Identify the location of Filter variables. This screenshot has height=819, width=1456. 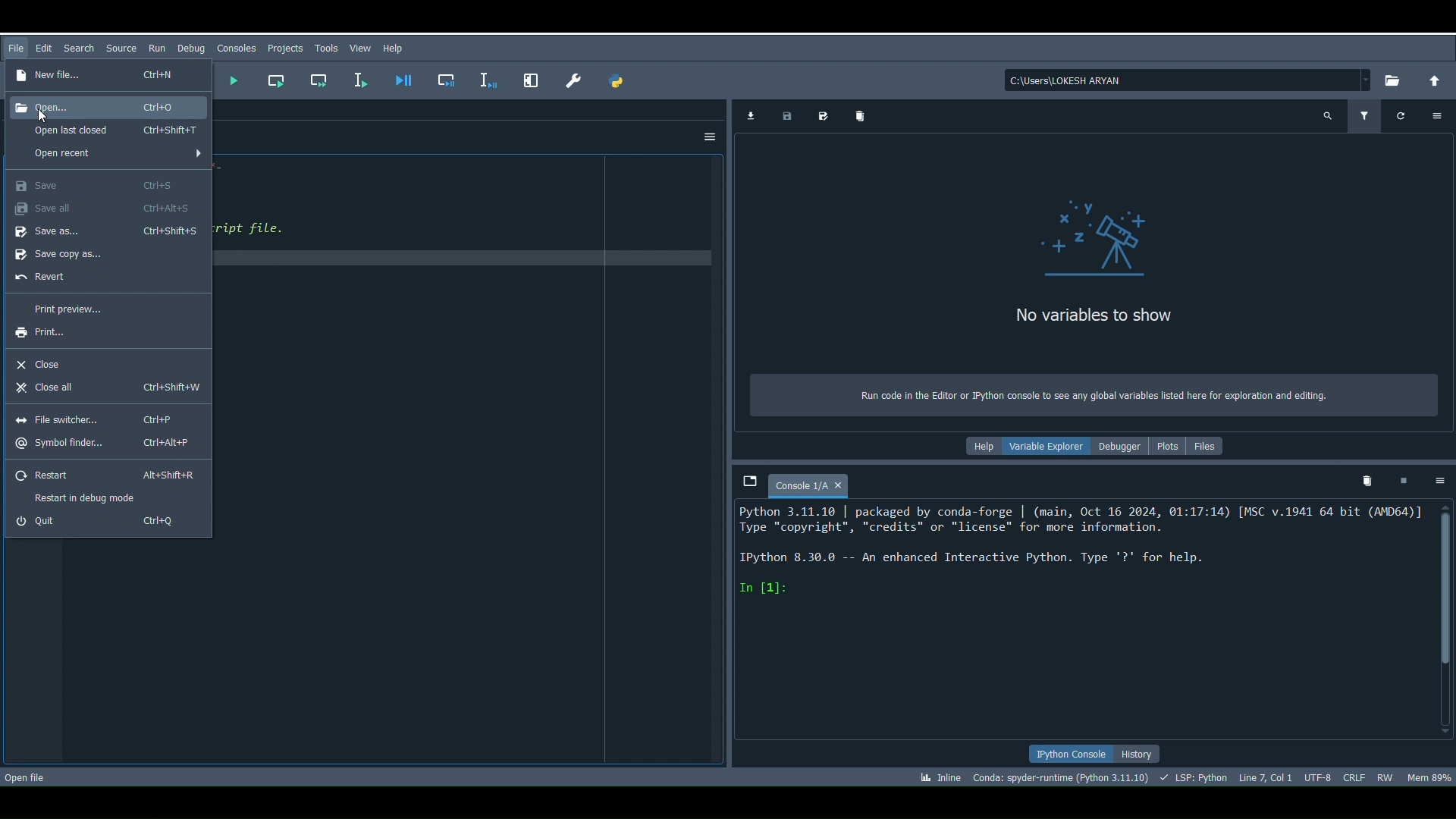
(1366, 116).